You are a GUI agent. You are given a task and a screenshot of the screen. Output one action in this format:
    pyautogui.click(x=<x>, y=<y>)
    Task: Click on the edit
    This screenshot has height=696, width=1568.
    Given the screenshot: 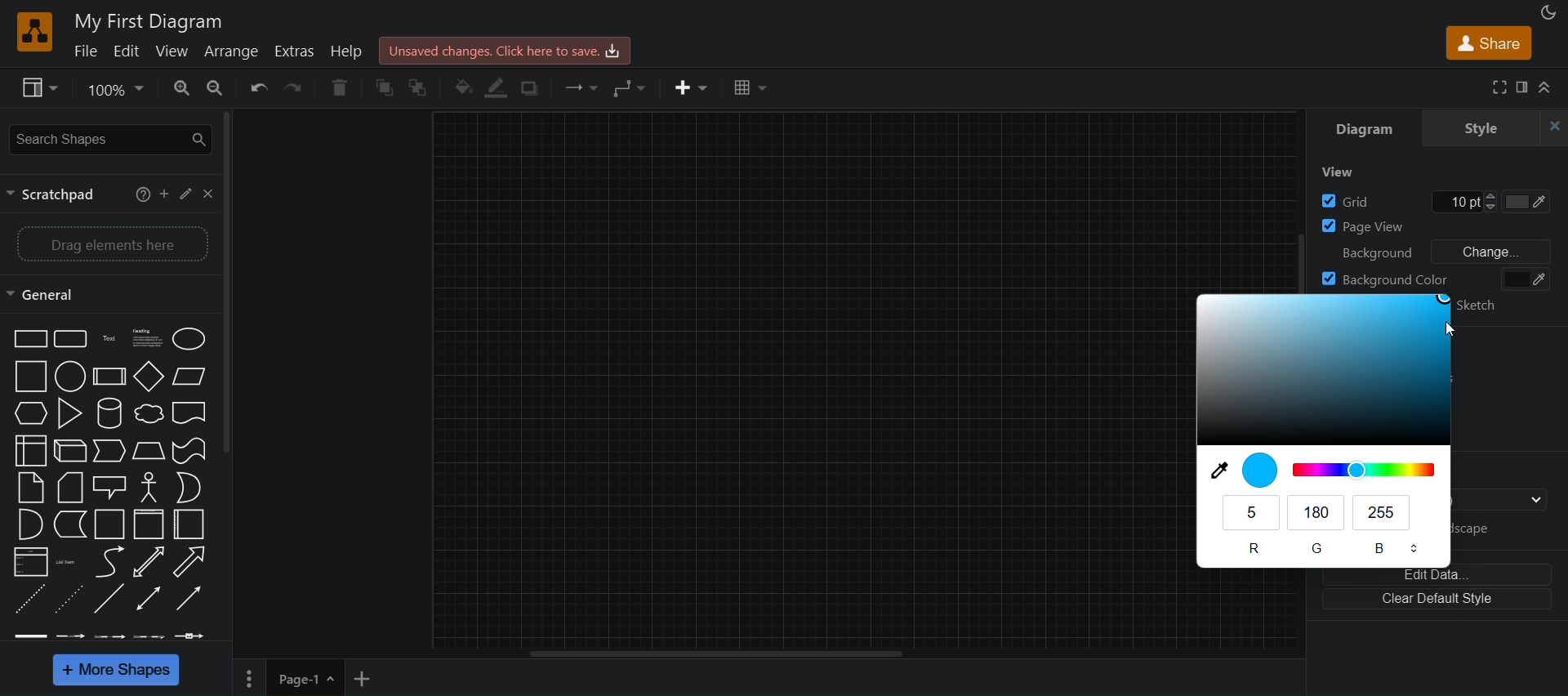 What is the action you would take?
    pyautogui.click(x=186, y=194)
    